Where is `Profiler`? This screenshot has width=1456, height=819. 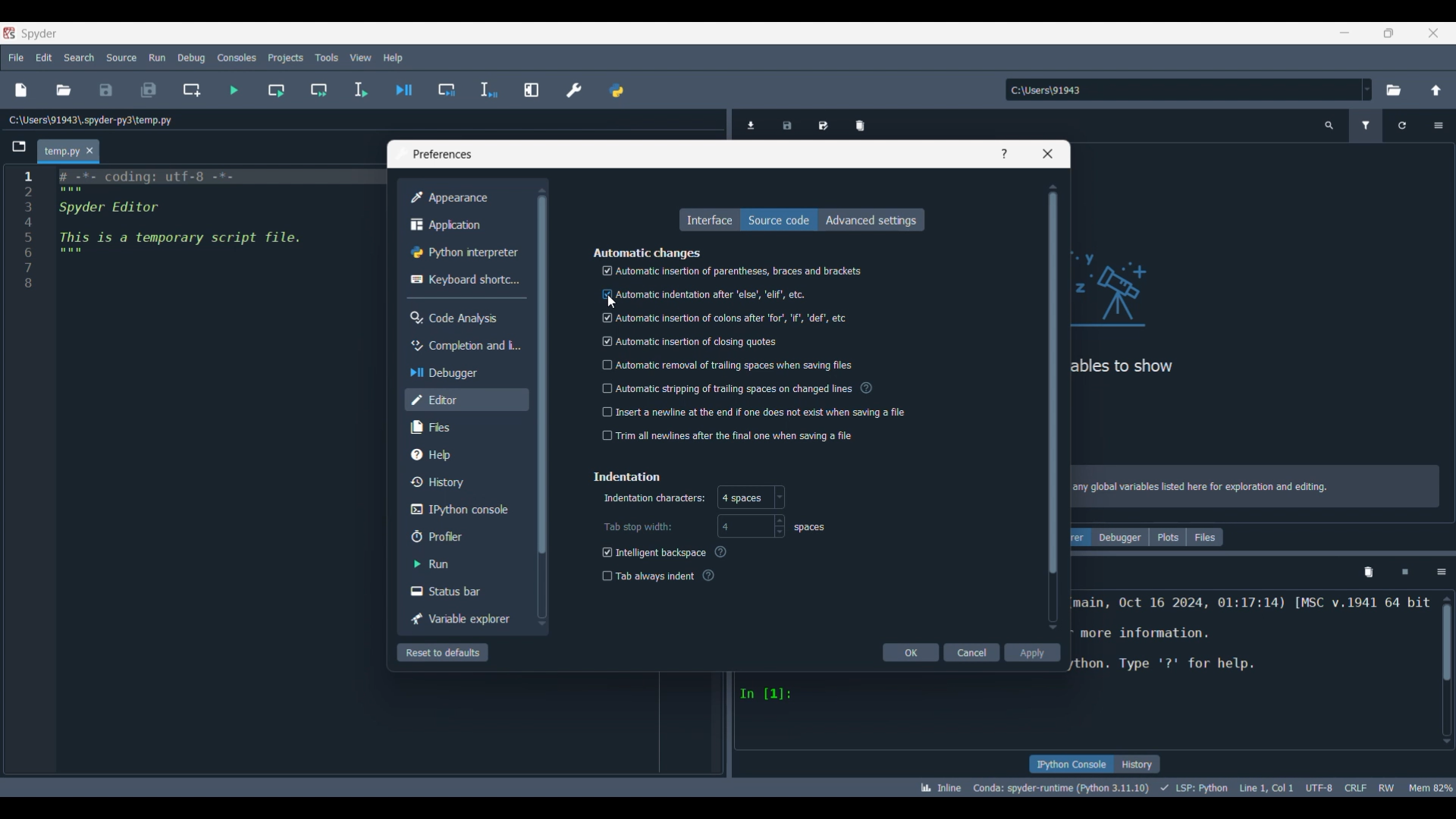
Profiler is located at coordinates (464, 536).